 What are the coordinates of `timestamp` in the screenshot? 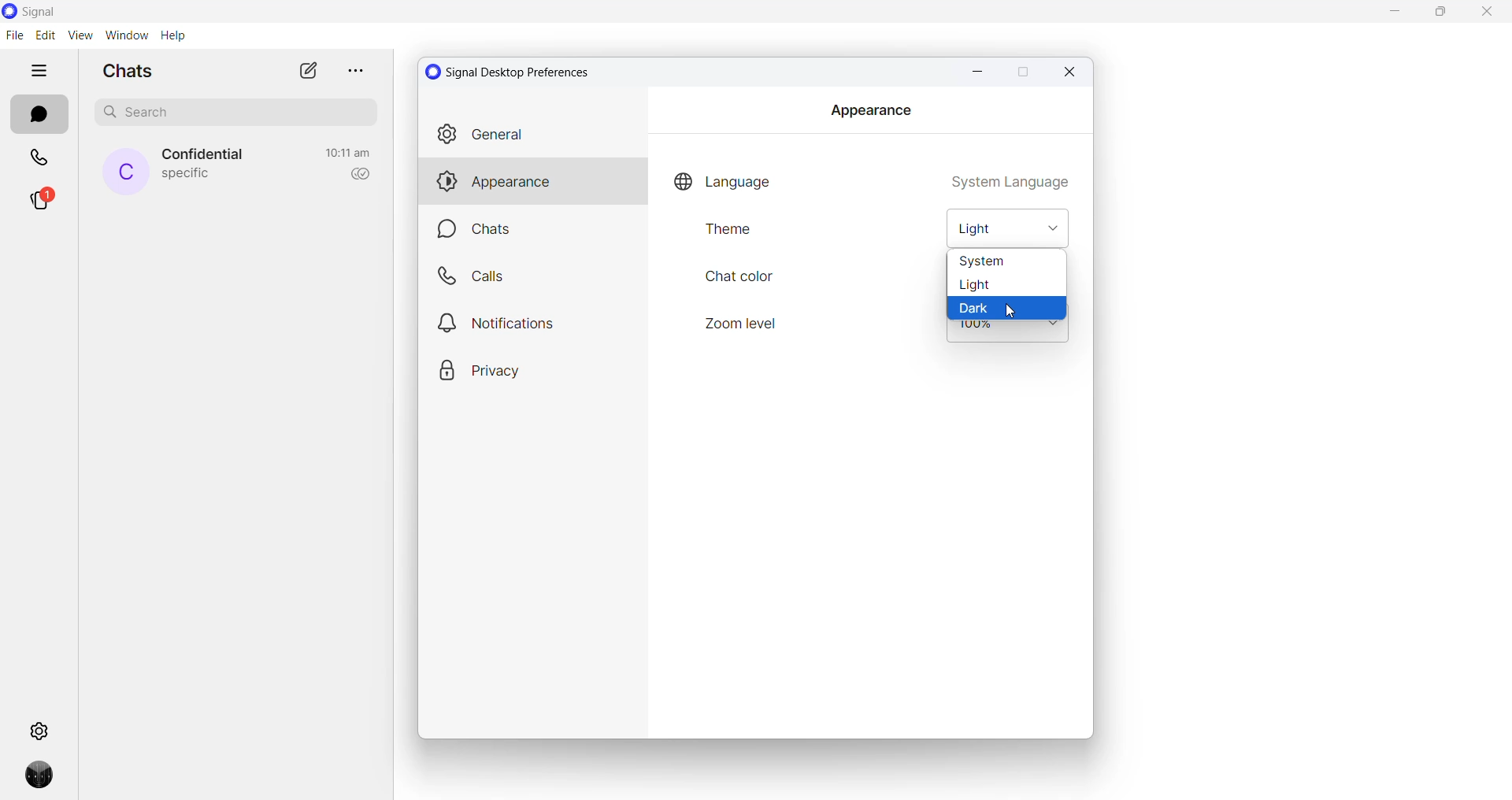 It's located at (348, 153).